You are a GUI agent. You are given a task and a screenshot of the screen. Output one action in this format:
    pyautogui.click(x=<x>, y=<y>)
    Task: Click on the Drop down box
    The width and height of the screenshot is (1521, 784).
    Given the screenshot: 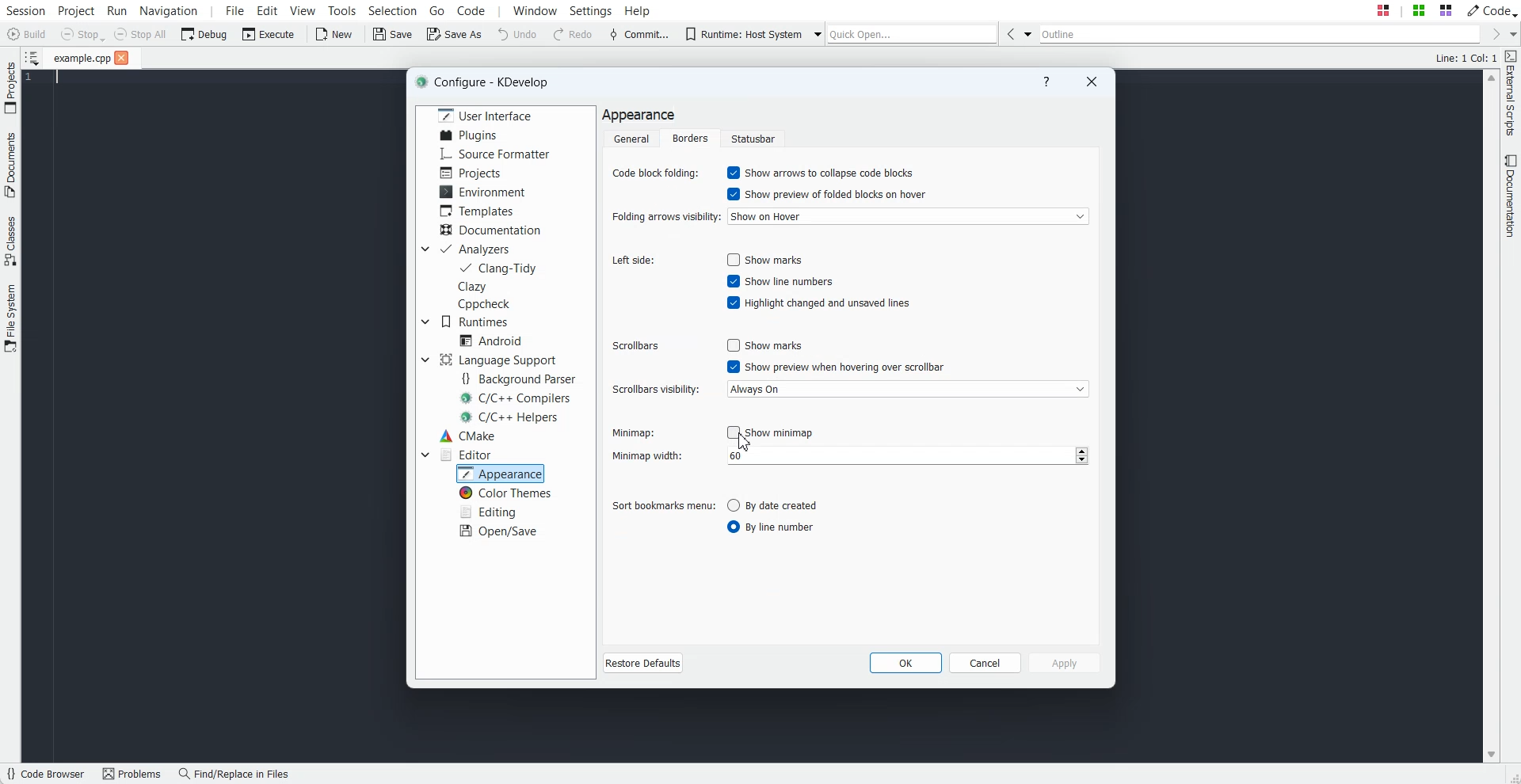 What is the action you would take?
    pyautogui.click(x=425, y=455)
    